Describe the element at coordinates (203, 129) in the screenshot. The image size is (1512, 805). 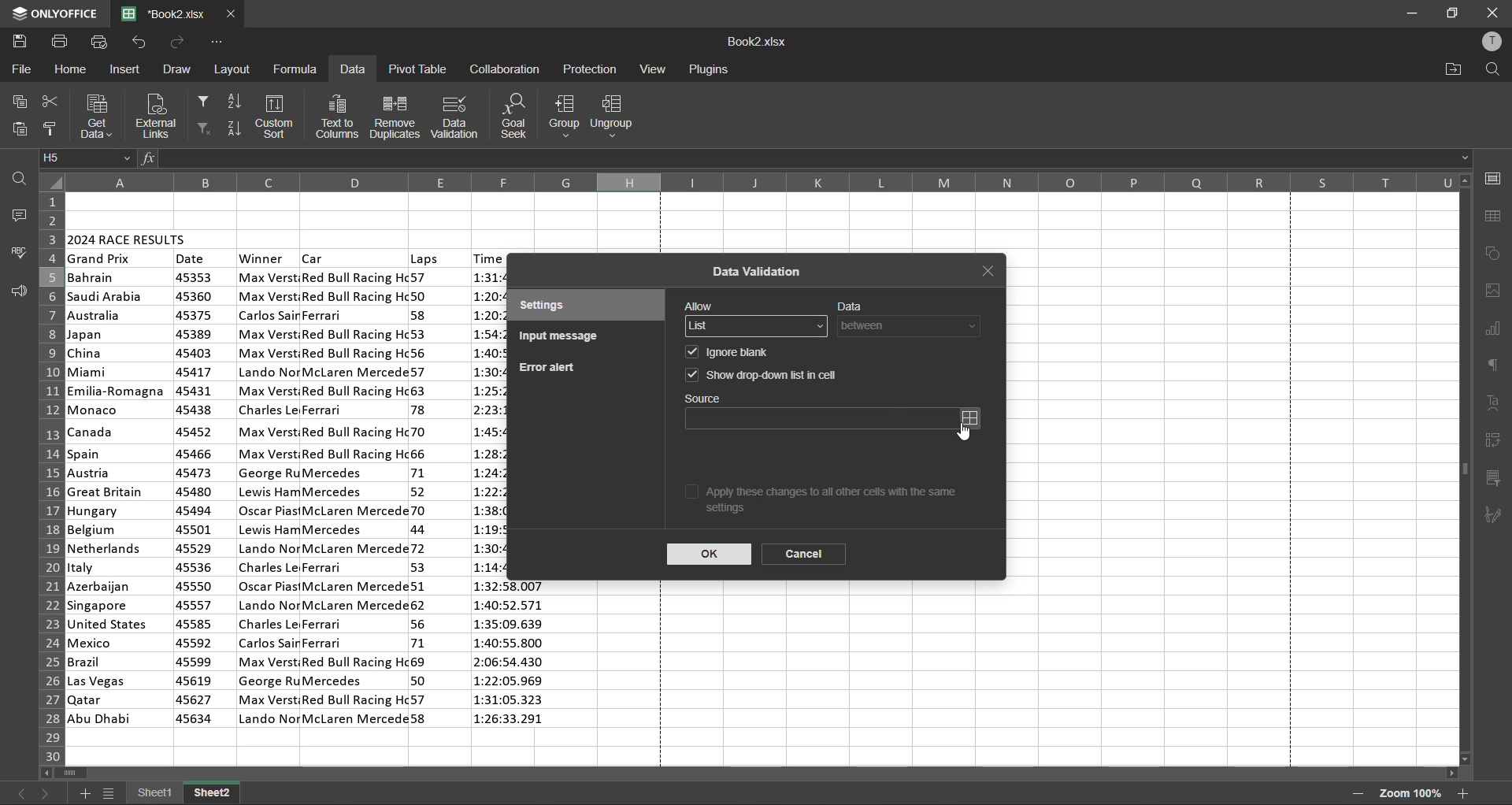
I see `clear filter` at that location.